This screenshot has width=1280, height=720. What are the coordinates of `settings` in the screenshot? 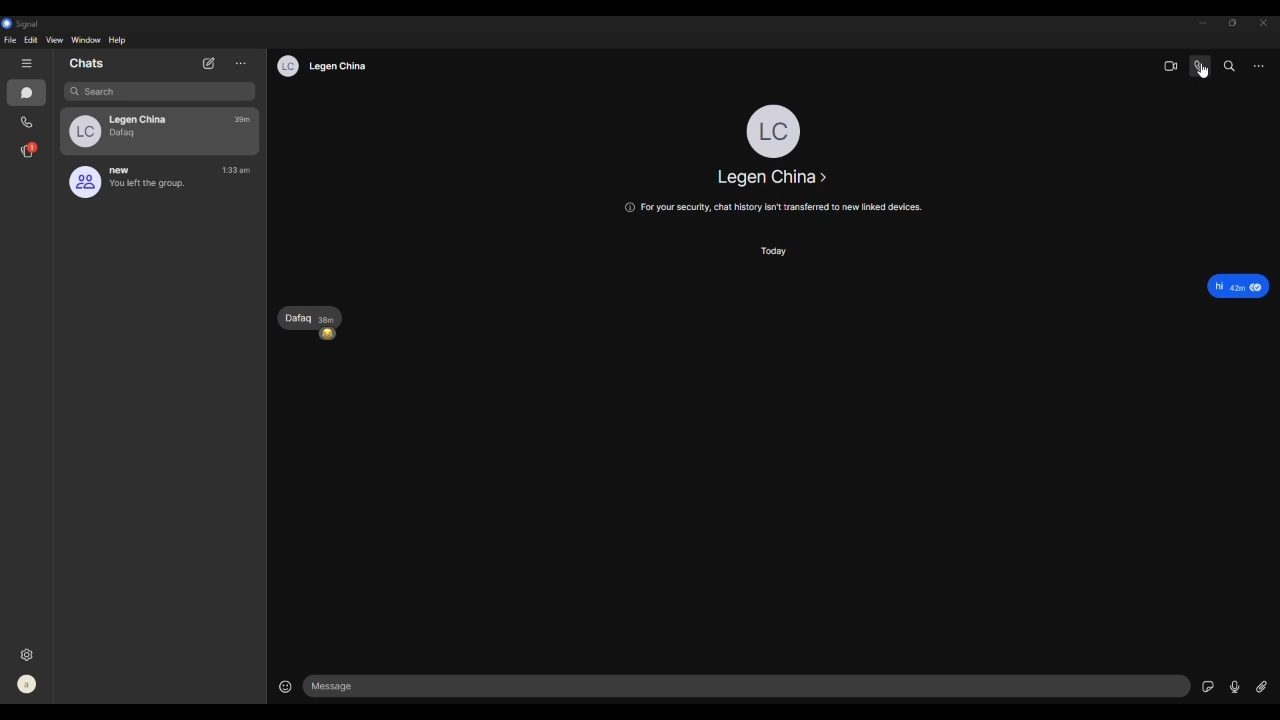 It's located at (33, 653).